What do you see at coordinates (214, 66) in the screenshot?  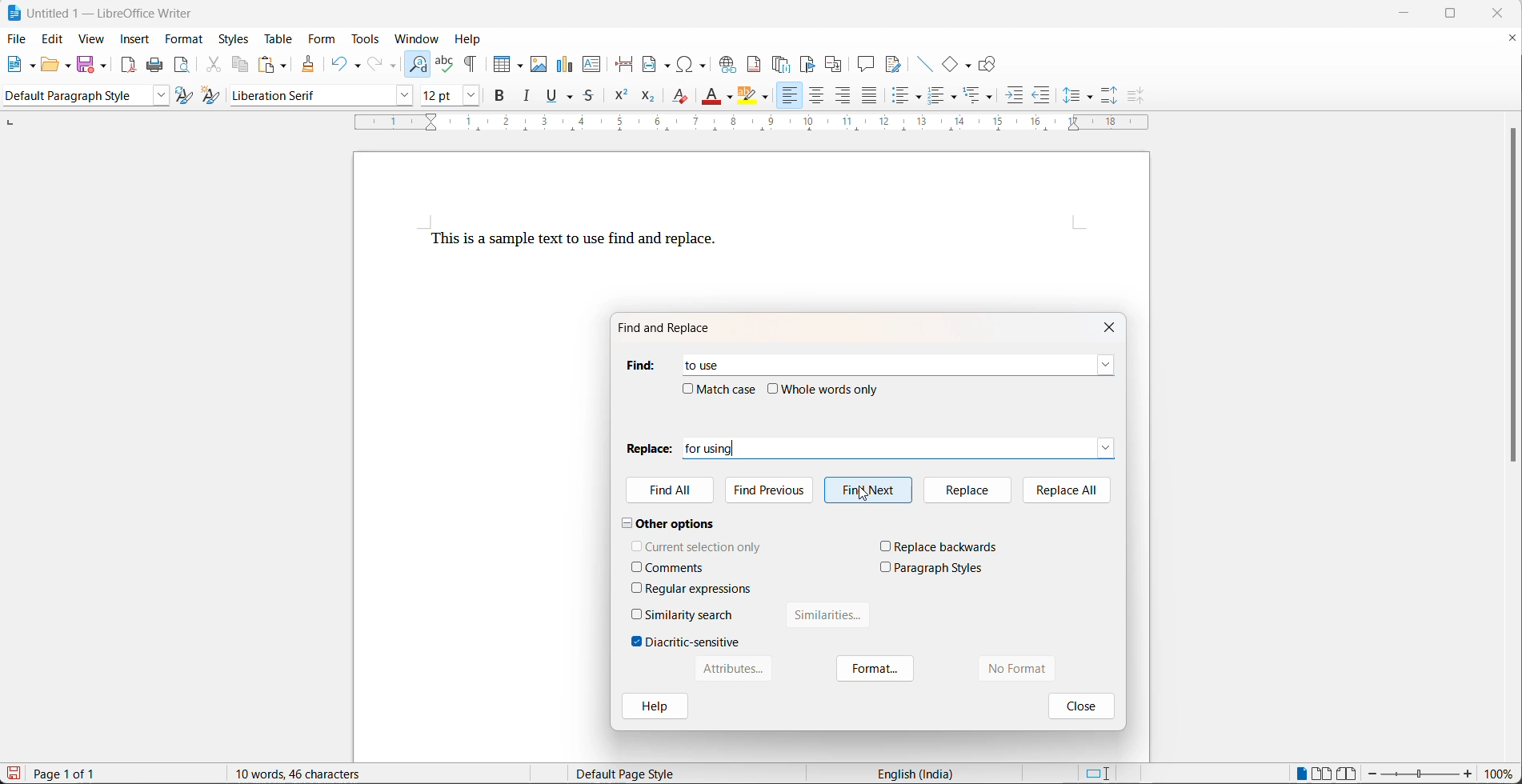 I see `cut` at bounding box center [214, 66].